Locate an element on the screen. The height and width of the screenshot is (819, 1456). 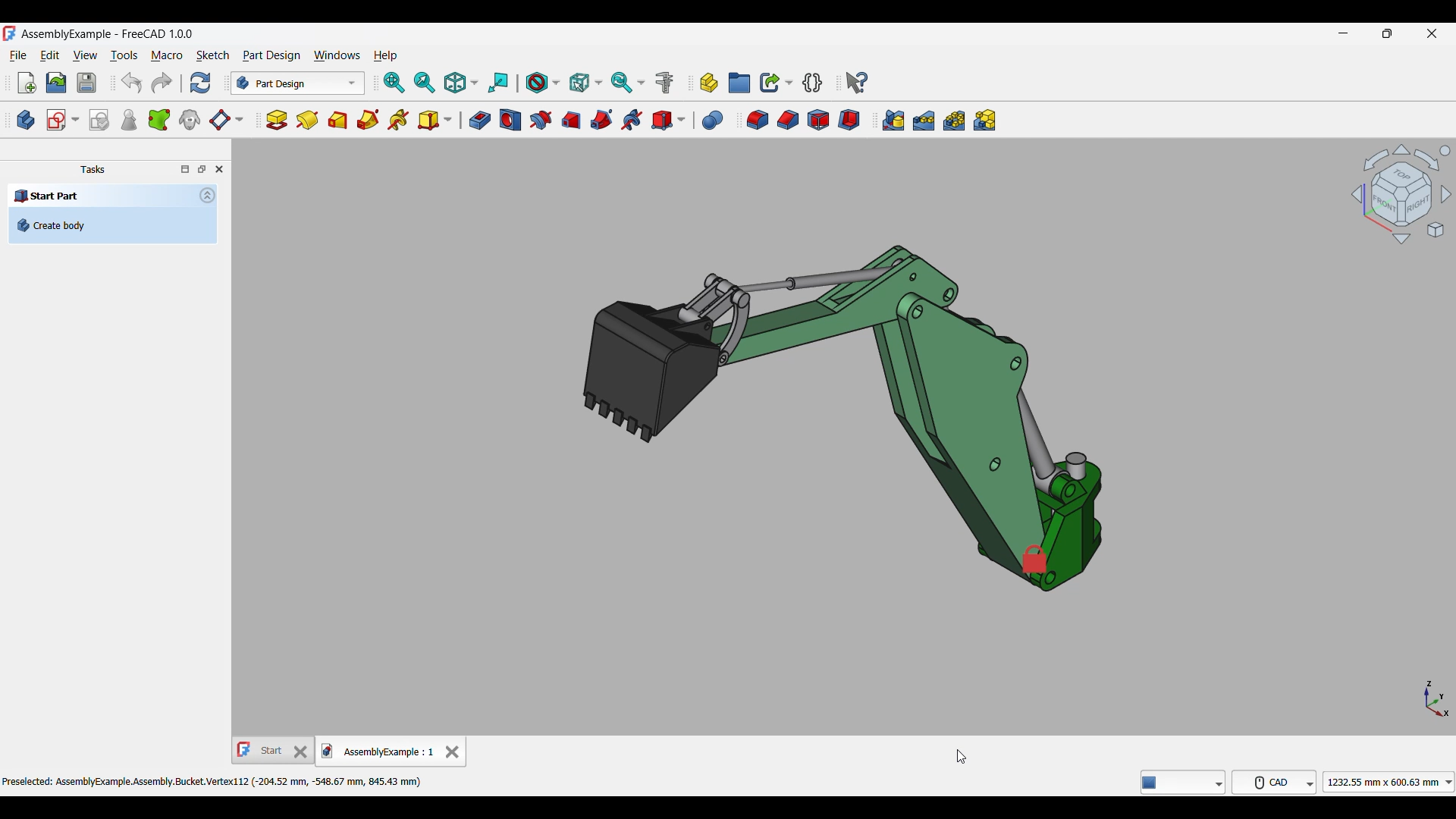
Align to selection is located at coordinates (498, 83).